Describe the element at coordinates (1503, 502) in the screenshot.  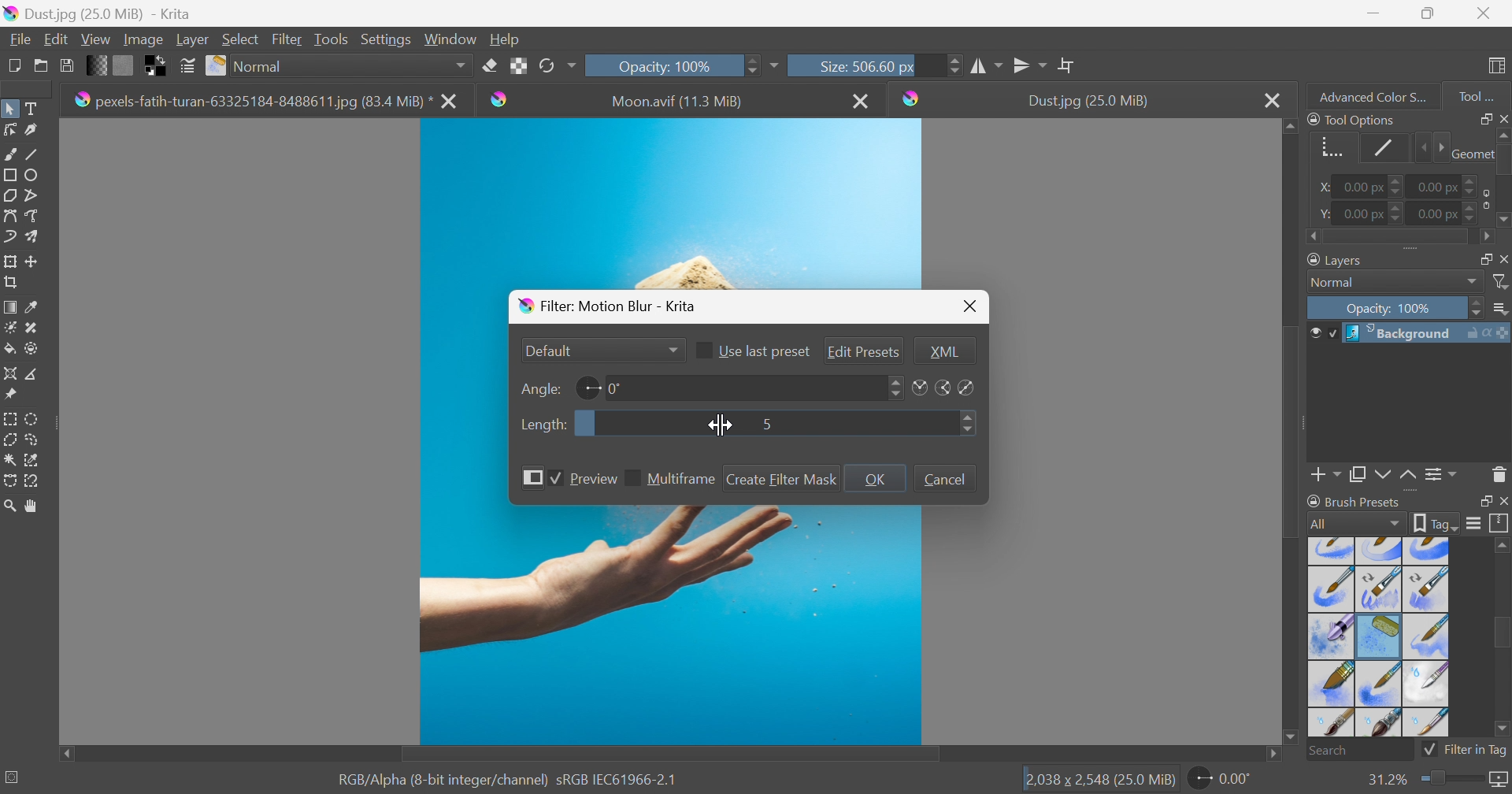
I see `Close` at that location.